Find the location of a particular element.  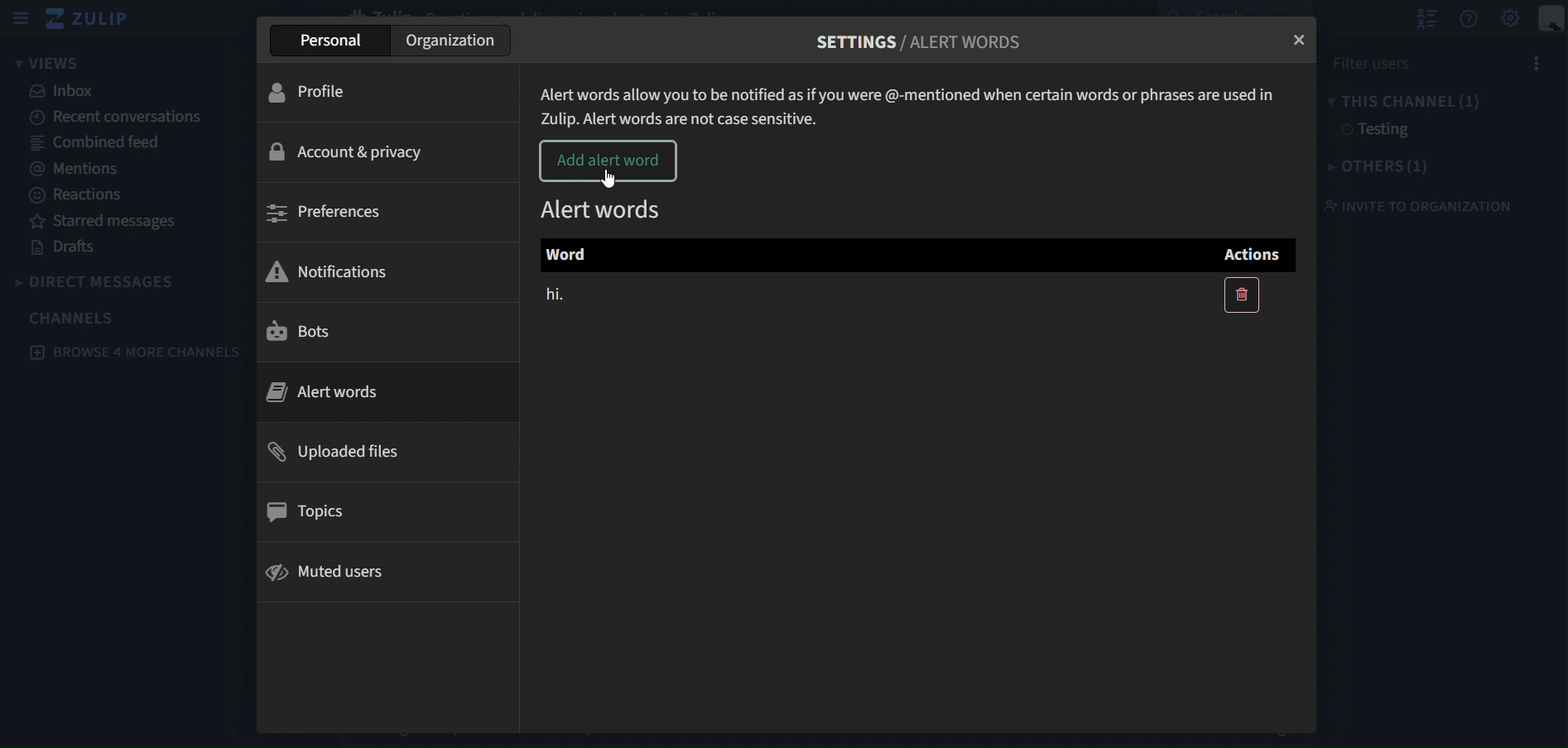

notifications is located at coordinates (348, 269).